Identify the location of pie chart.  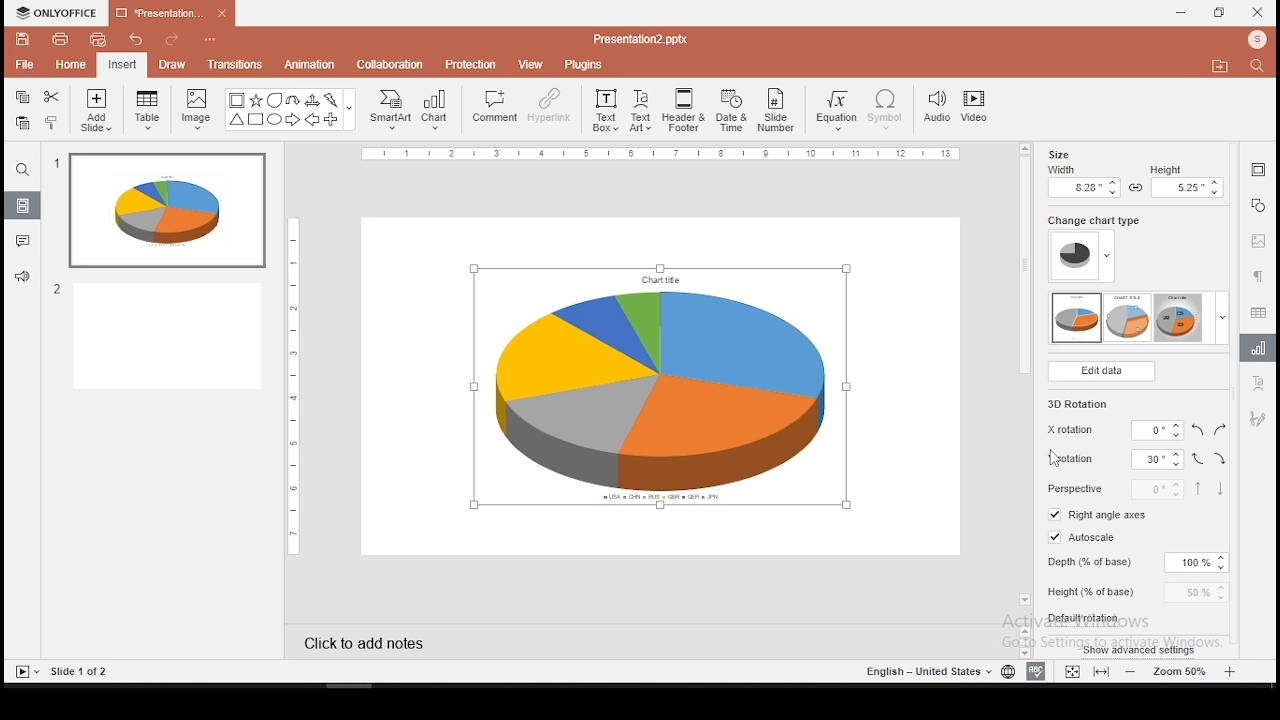
(659, 387).